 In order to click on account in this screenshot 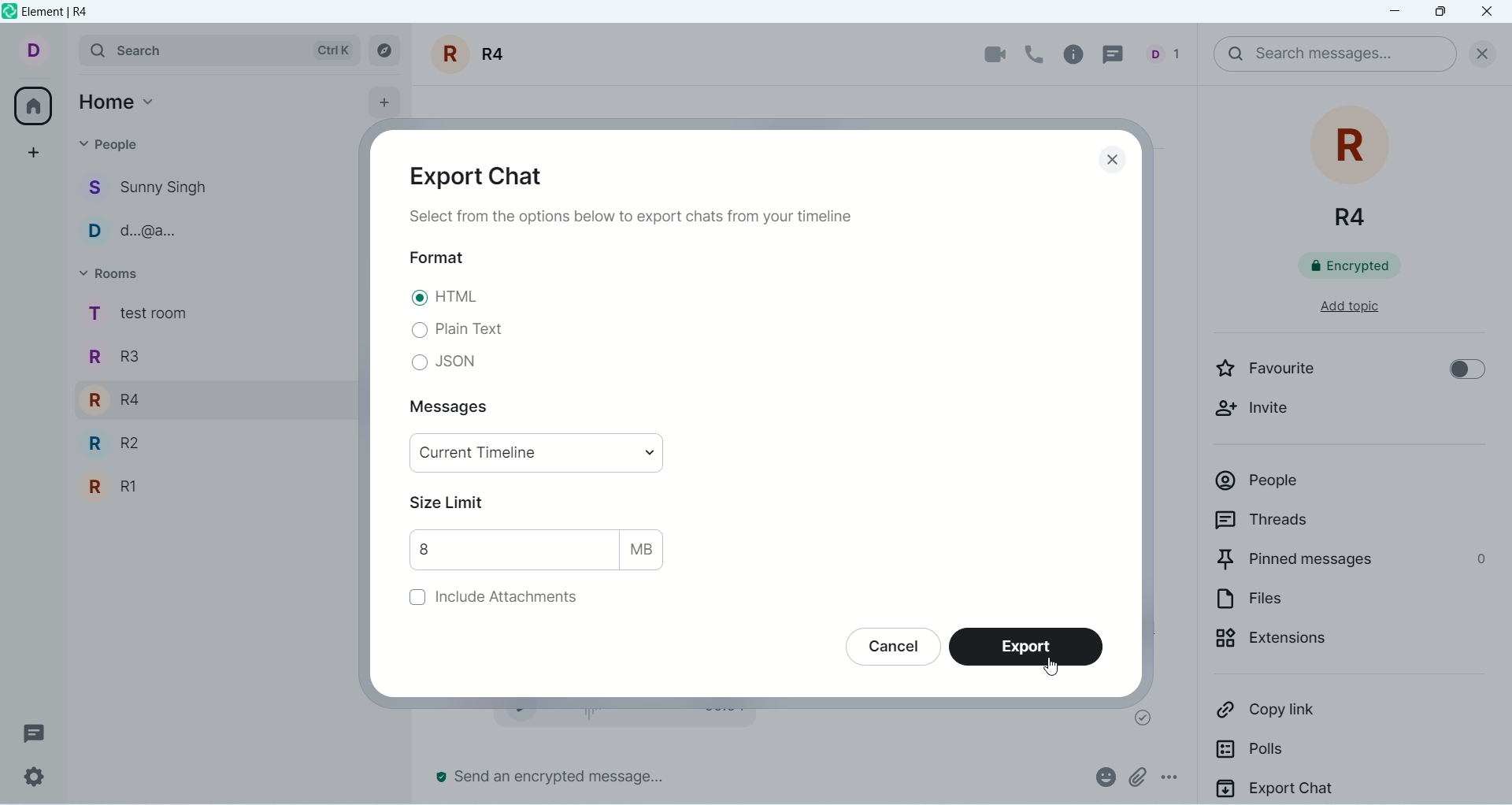, I will do `click(31, 49)`.